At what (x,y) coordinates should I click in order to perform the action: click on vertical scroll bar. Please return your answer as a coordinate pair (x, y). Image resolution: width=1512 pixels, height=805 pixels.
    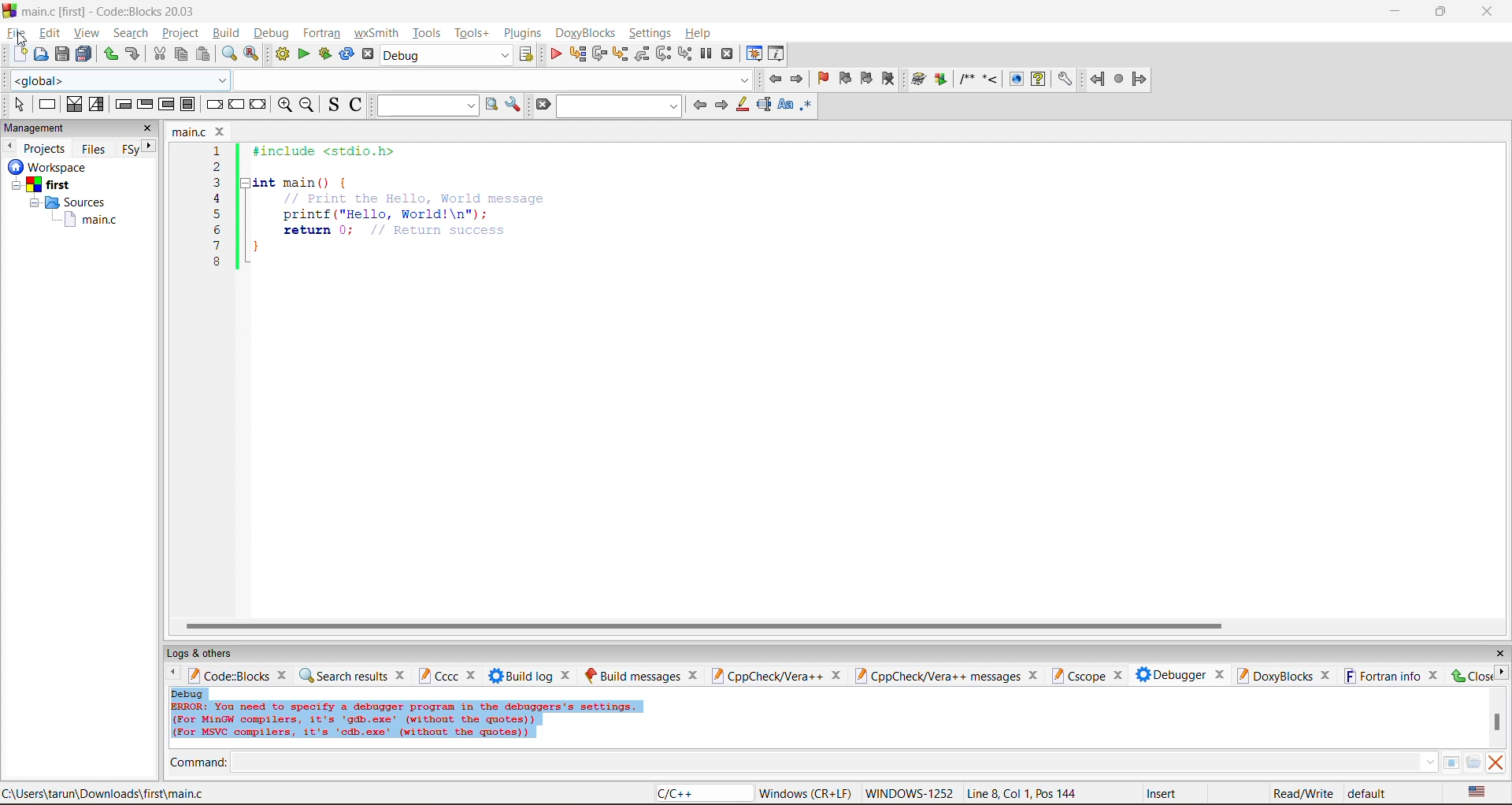
    Looking at the image, I should click on (1496, 722).